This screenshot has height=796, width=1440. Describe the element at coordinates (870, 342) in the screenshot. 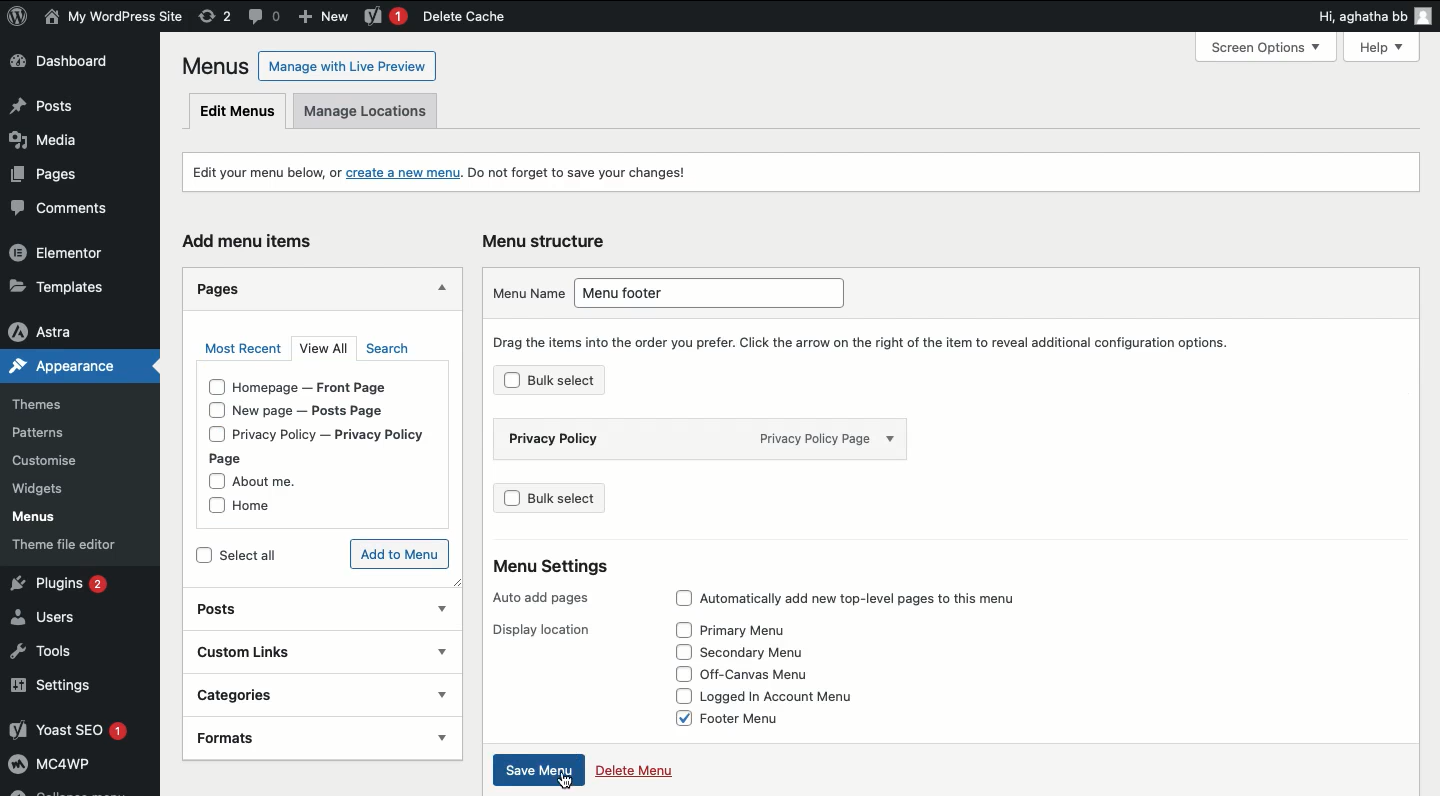

I see `Drag the items into the order you prefer` at that location.